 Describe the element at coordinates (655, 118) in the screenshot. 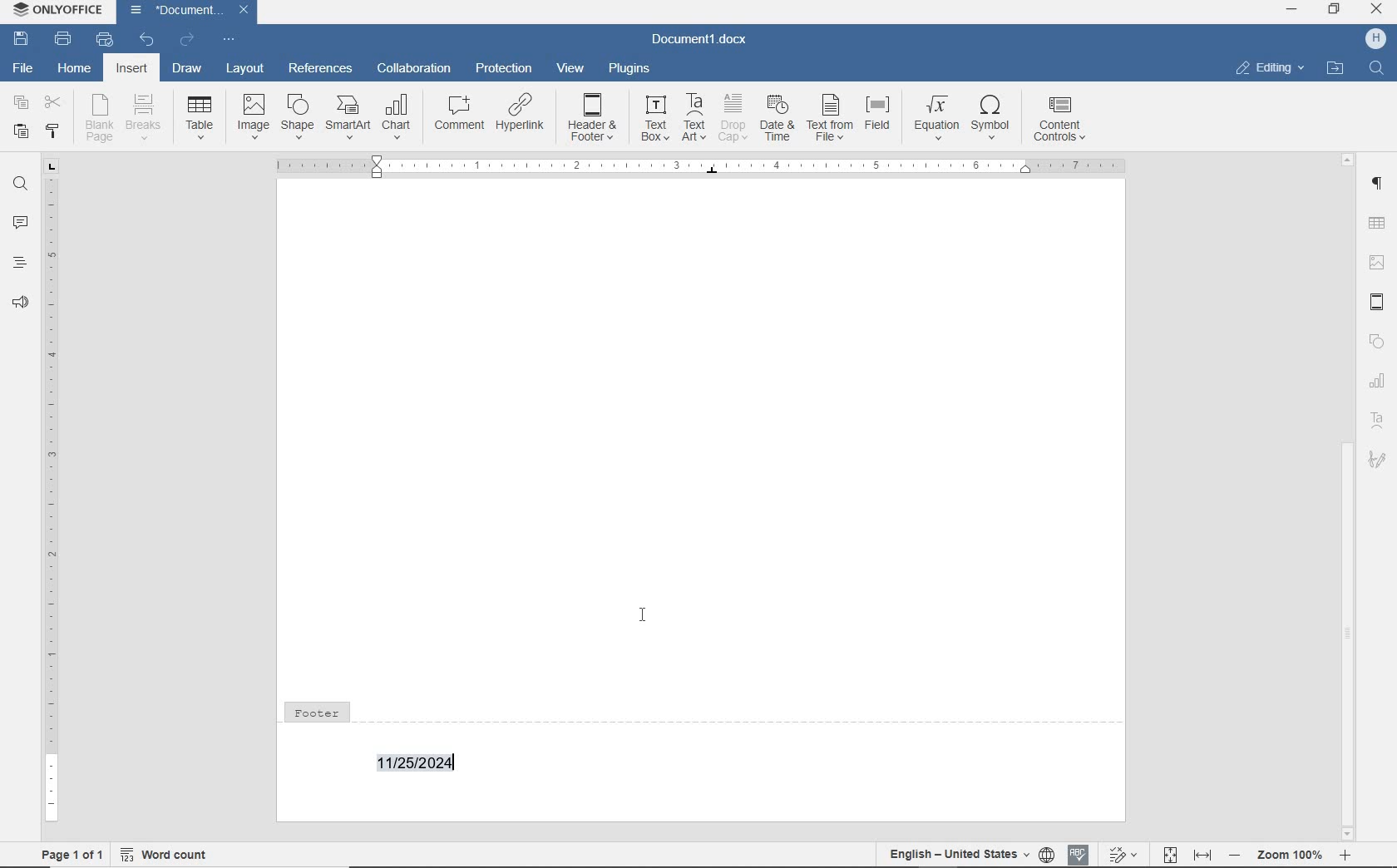

I see `text box` at that location.